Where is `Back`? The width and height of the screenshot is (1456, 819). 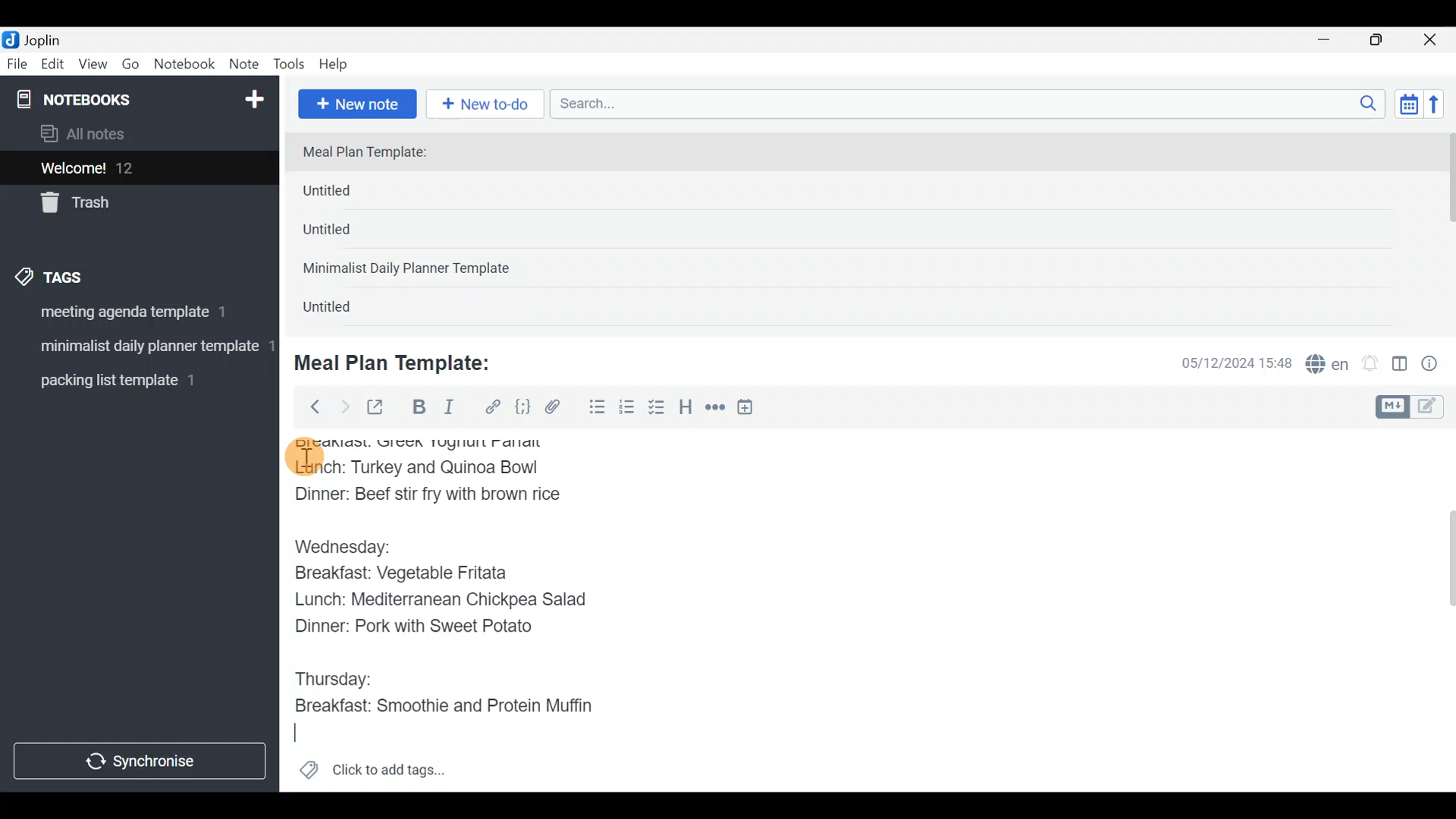 Back is located at coordinates (309, 406).